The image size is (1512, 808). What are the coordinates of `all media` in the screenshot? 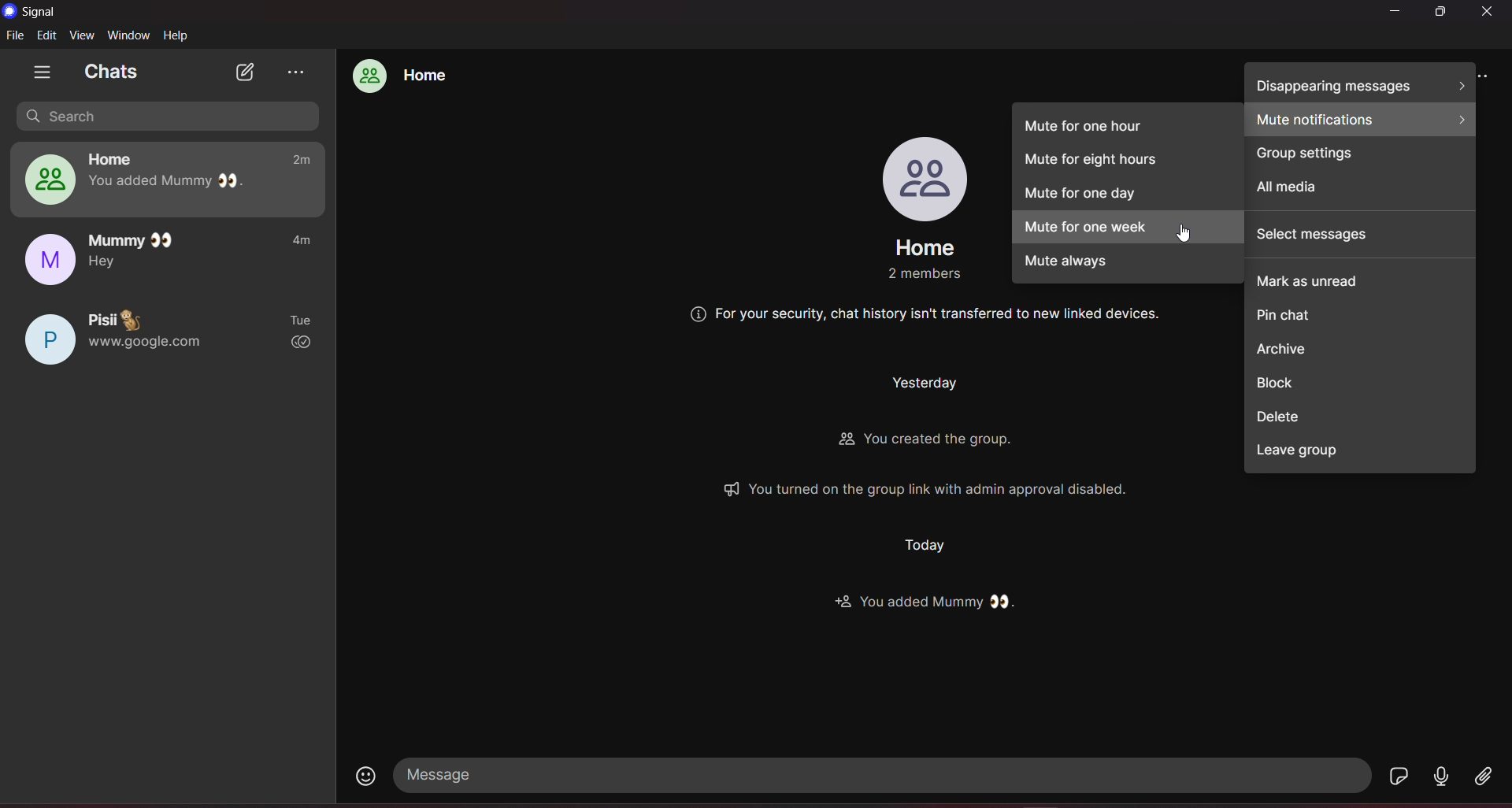 It's located at (1361, 195).